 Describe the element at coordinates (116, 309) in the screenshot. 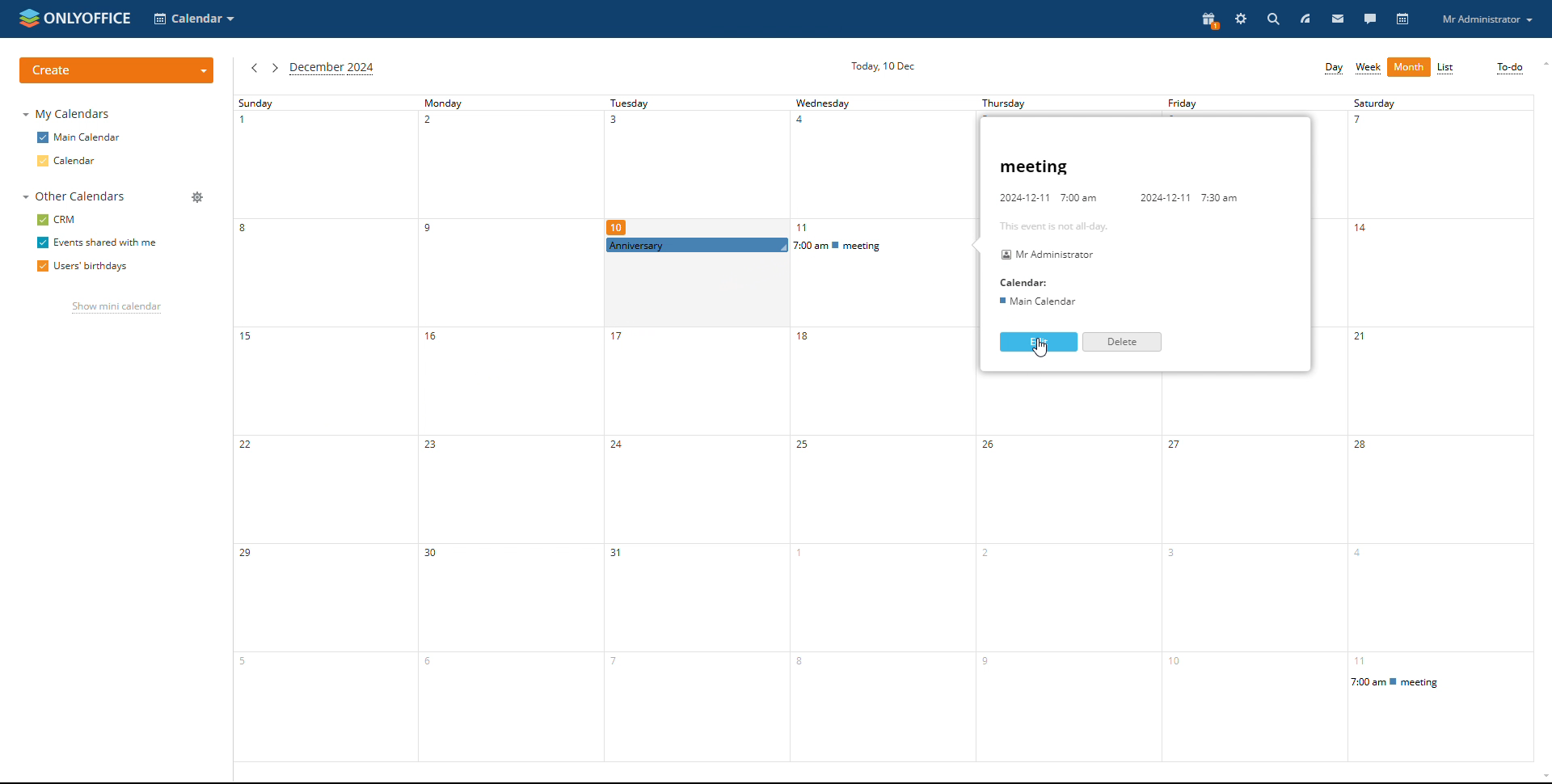

I see `show mini calendar` at that location.